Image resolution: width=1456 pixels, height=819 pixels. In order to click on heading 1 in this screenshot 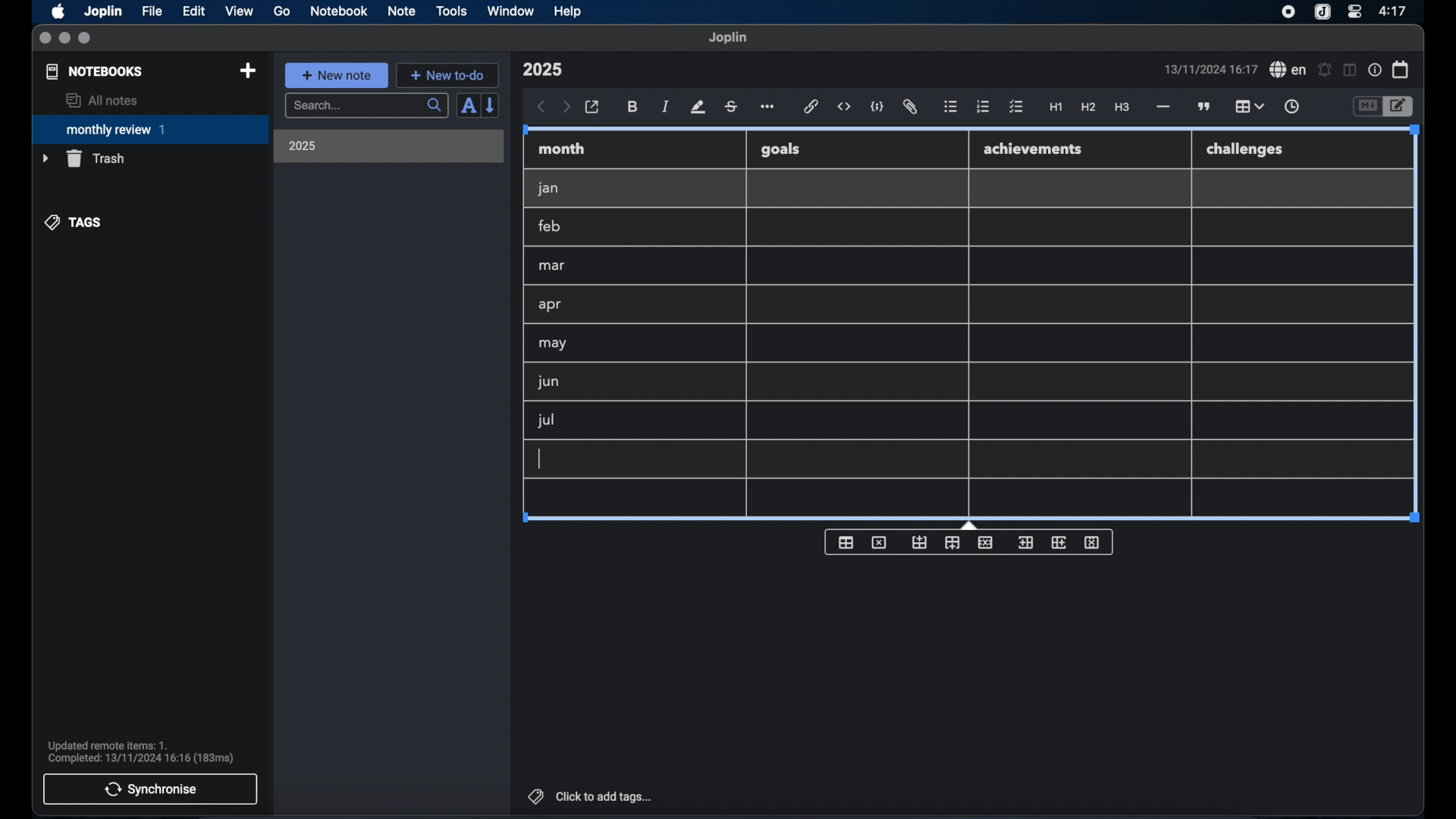, I will do `click(1056, 108)`.